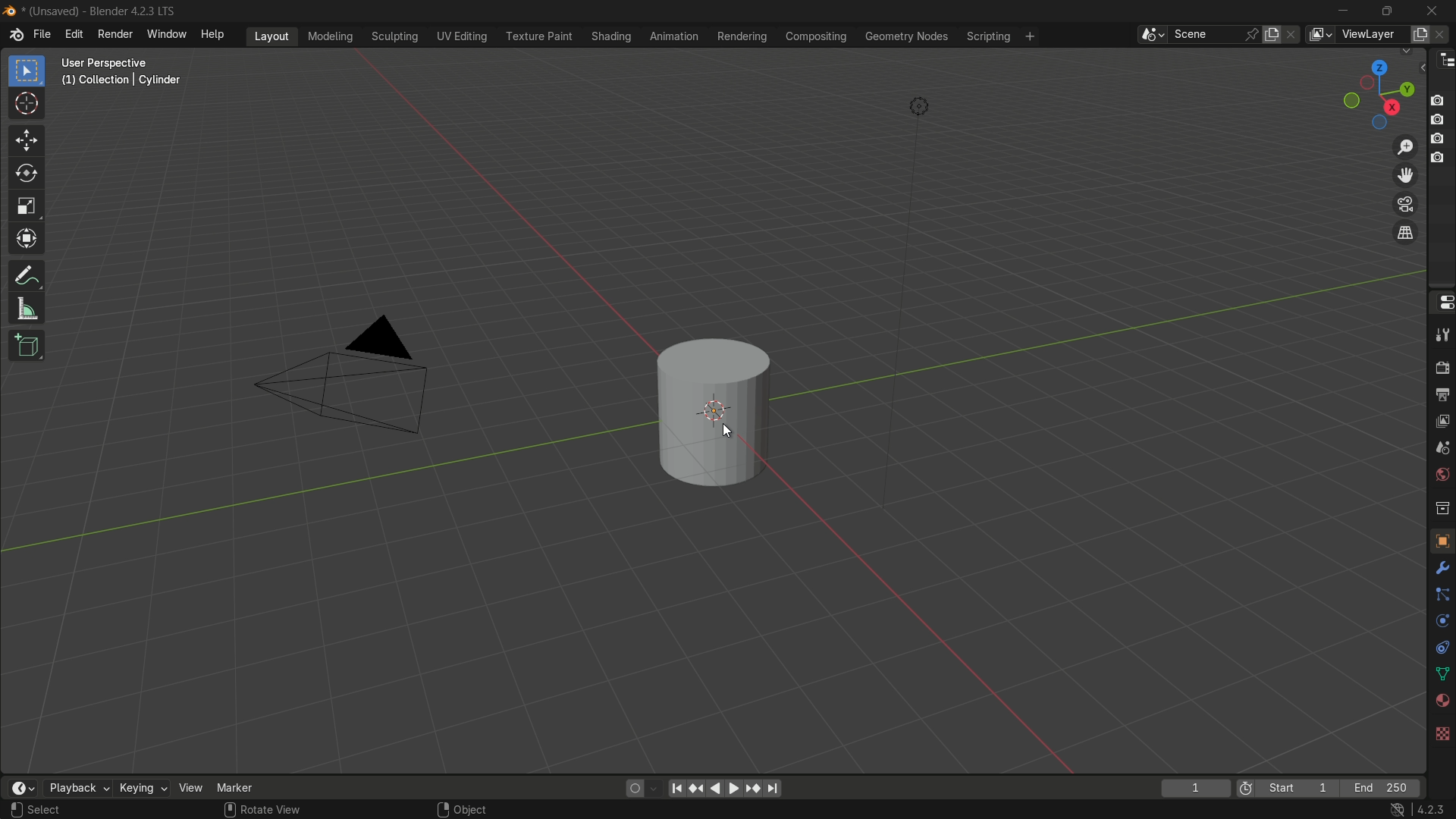 Image resolution: width=1456 pixels, height=819 pixels. Describe the element at coordinates (1405, 232) in the screenshot. I see `switch current view` at that location.